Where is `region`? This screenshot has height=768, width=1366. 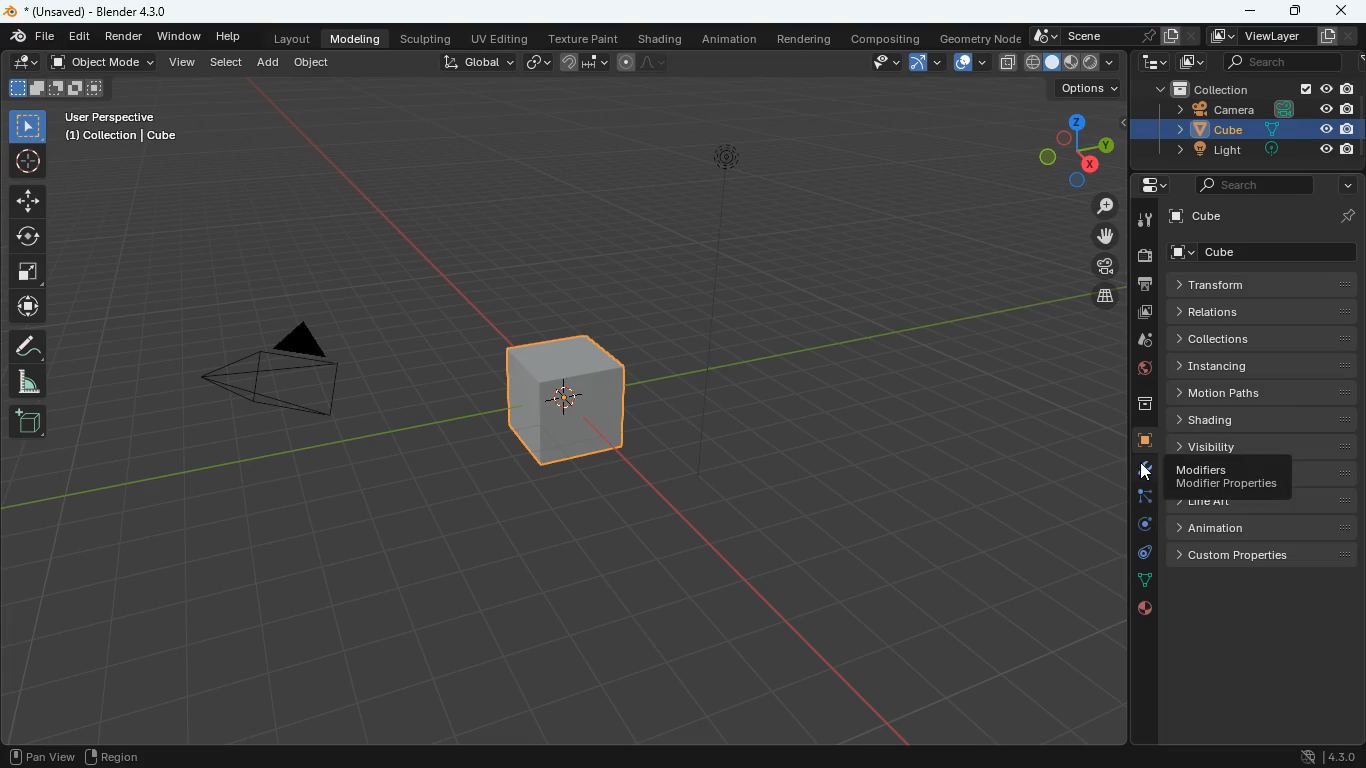 region is located at coordinates (113, 755).